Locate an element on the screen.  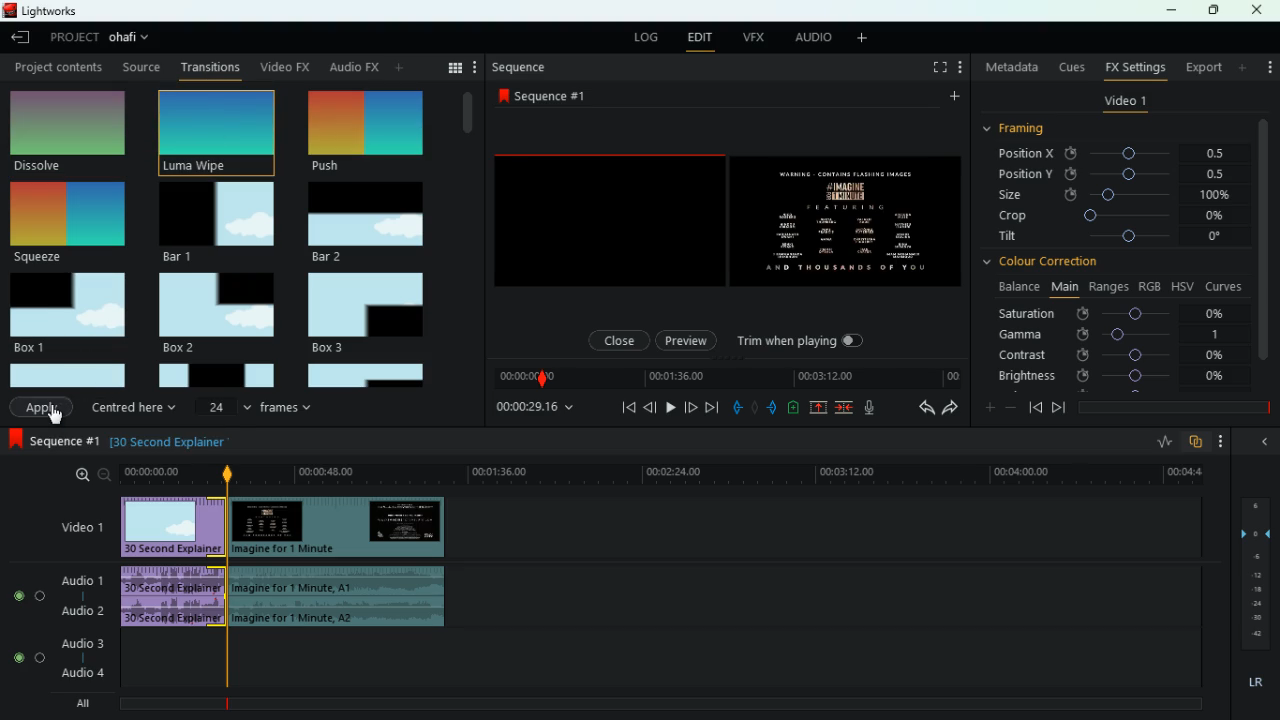
forward is located at coordinates (950, 409).